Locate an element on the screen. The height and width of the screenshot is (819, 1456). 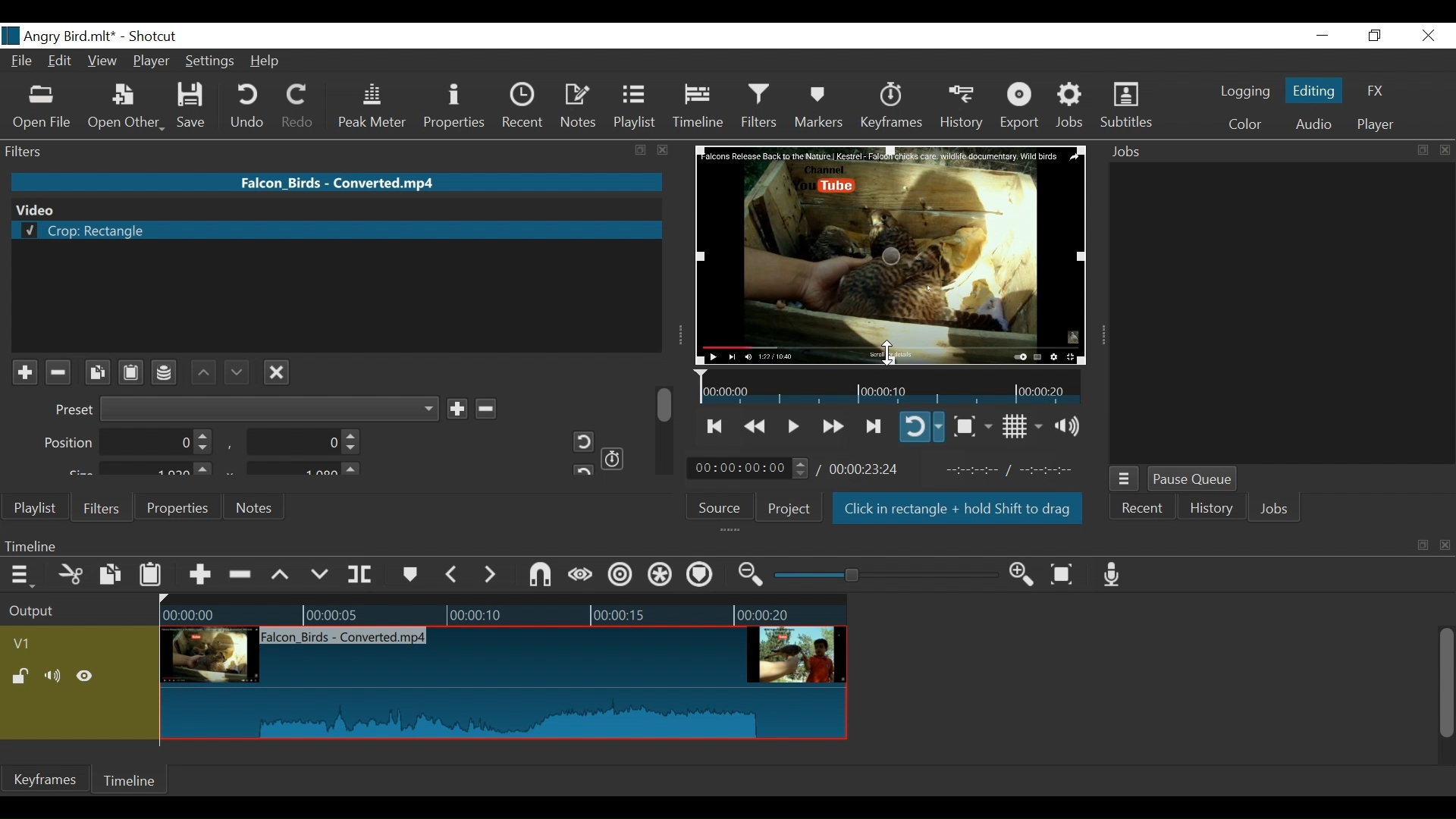
File Name is located at coordinates (24, 63).